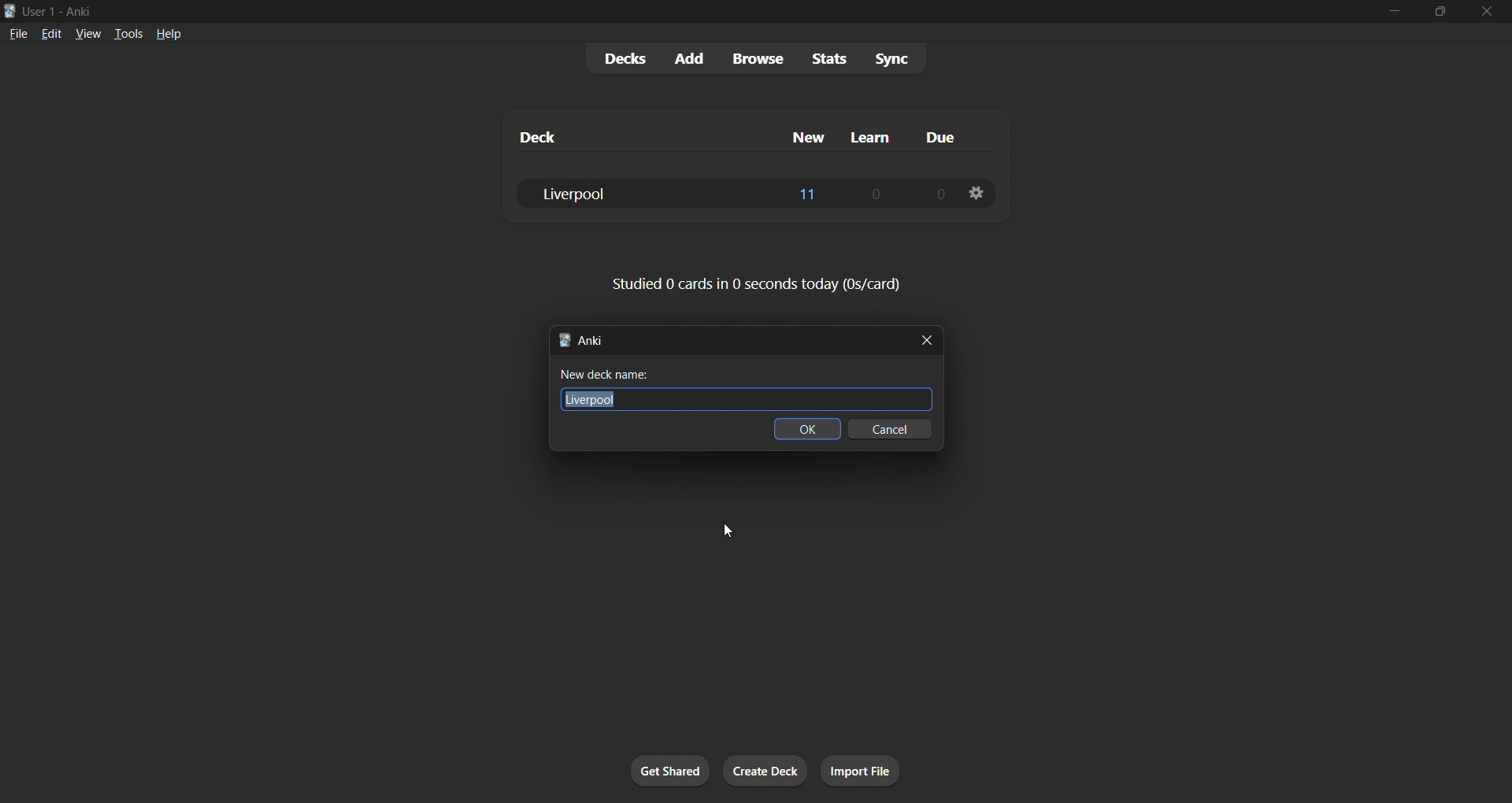 This screenshot has height=803, width=1512. What do you see at coordinates (83, 33) in the screenshot?
I see `view` at bounding box center [83, 33].